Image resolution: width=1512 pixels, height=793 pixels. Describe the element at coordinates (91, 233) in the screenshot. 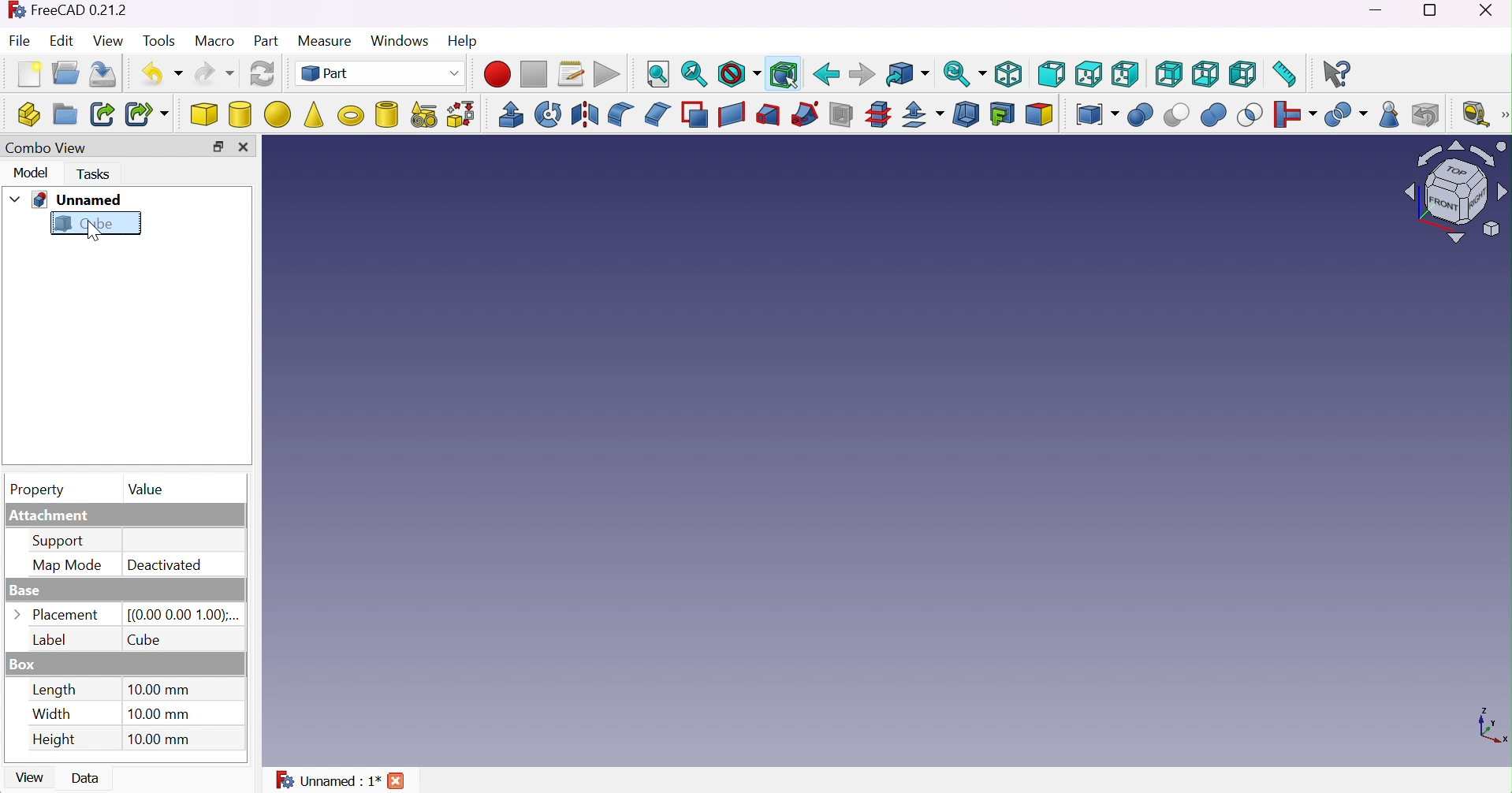

I see `Cursor` at that location.